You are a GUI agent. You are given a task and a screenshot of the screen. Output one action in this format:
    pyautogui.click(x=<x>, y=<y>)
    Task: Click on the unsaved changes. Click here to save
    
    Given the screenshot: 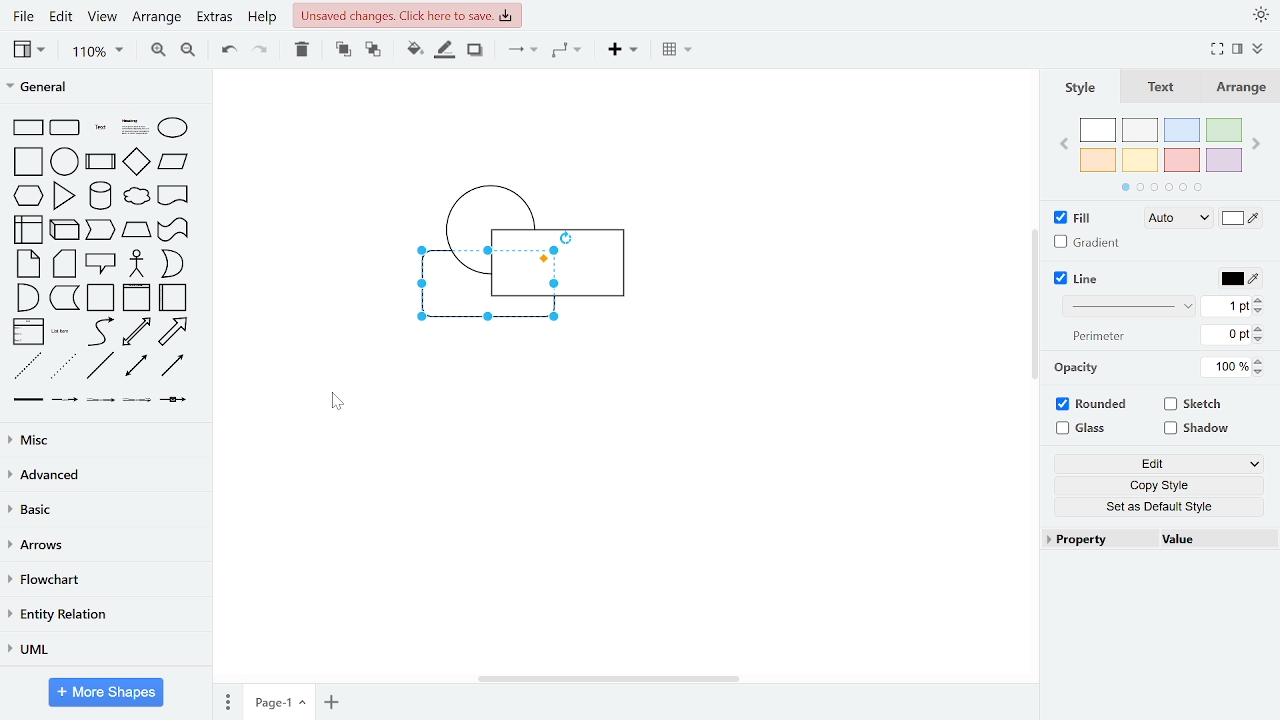 What is the action you would take?
    pyautogui.click(x=407, y=17)
    